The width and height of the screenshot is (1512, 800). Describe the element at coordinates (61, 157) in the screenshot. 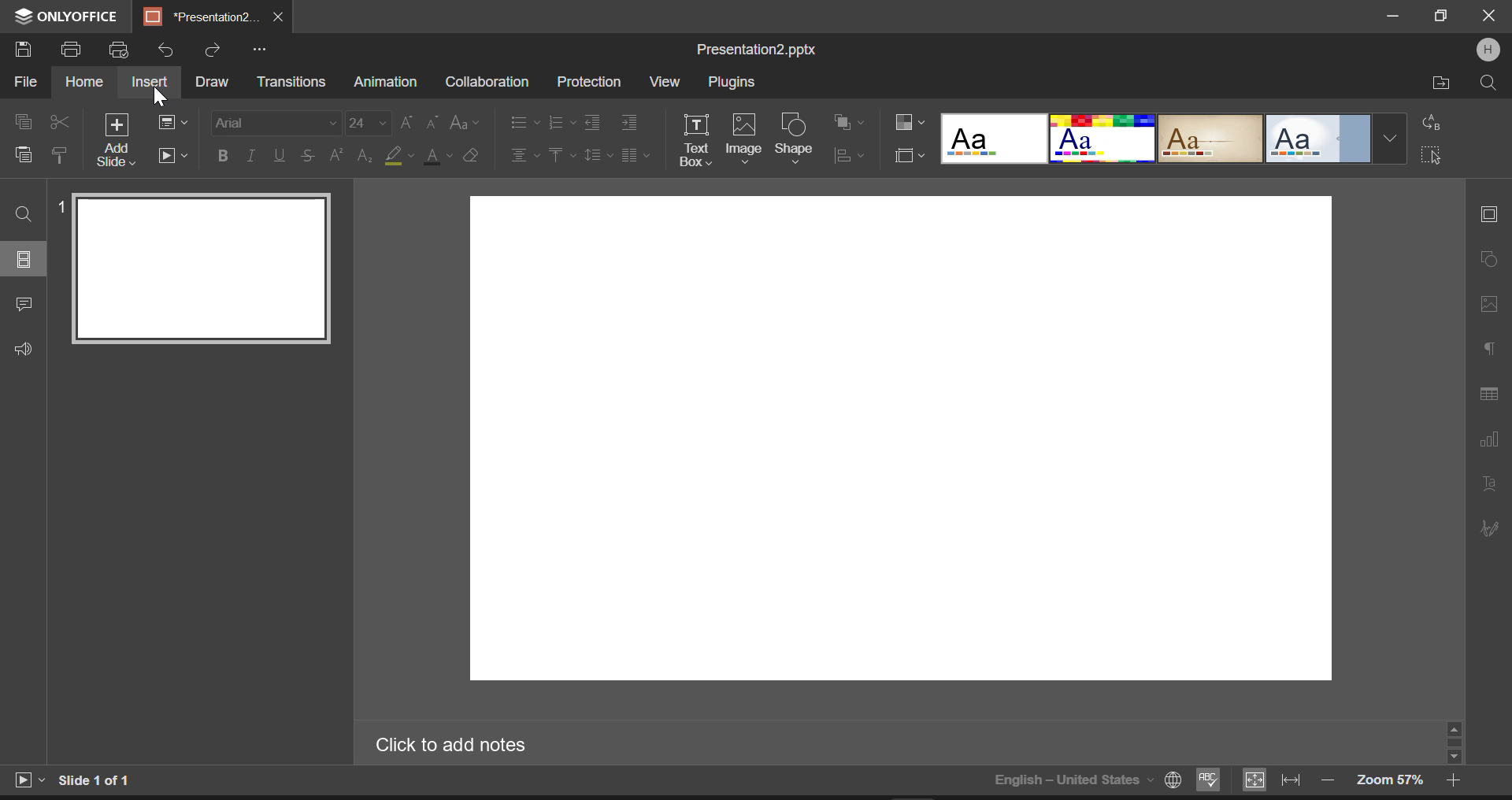

I see `Copy Style` at that location.